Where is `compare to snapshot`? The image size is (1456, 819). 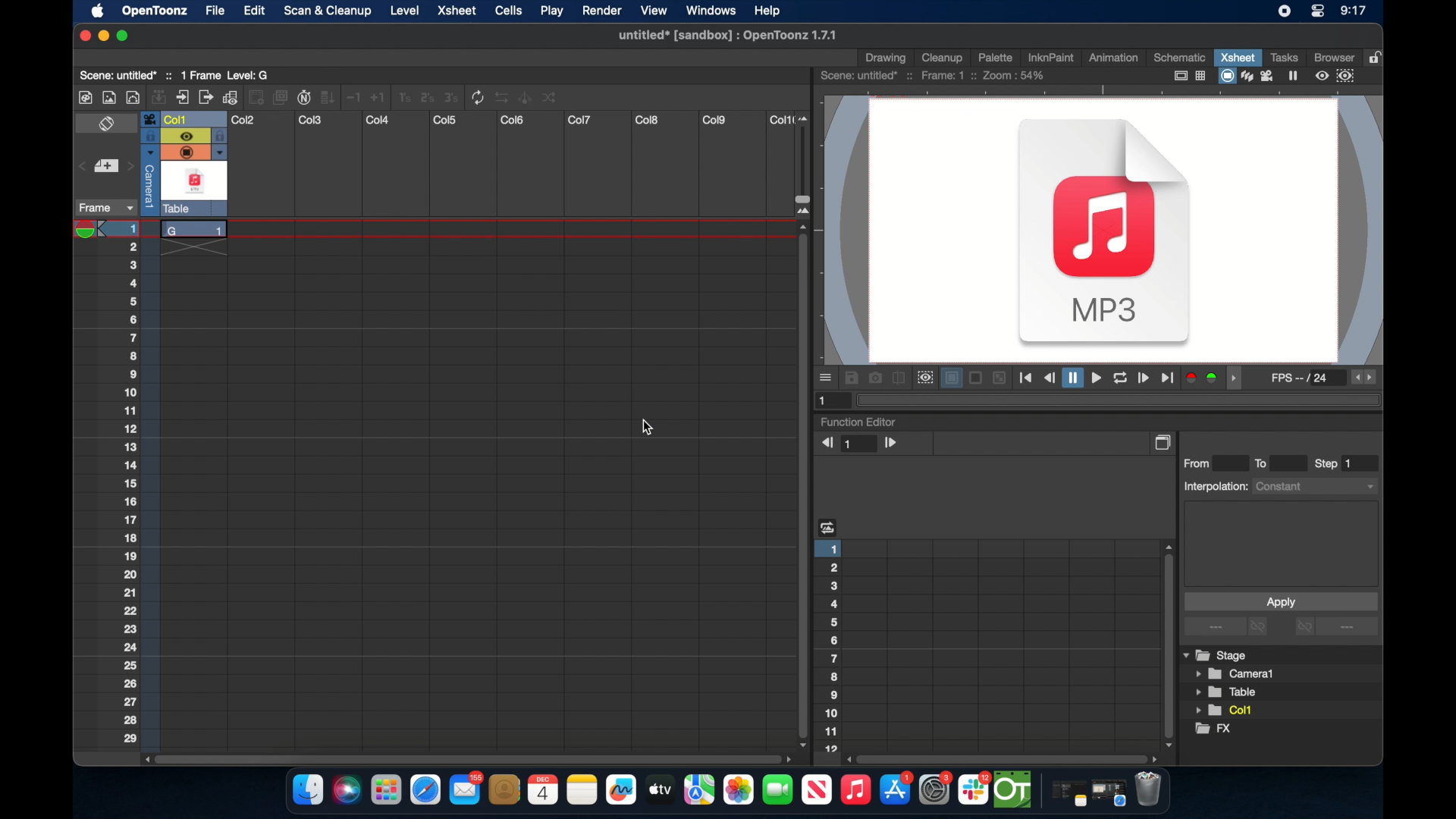
compare to snapshot is located at coordinates (899, 378).